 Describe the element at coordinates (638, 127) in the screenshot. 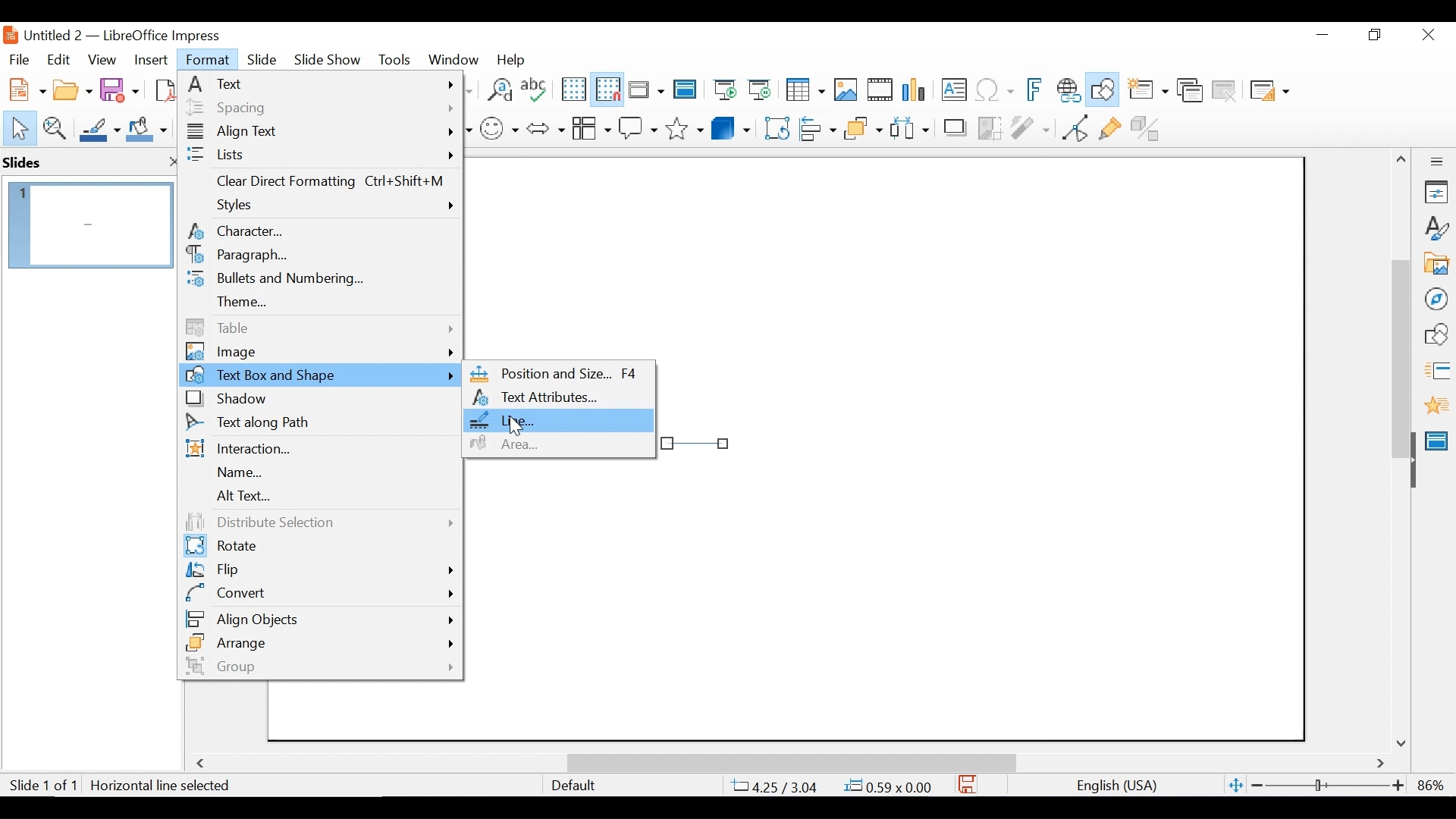

I see `Callout` at that location.